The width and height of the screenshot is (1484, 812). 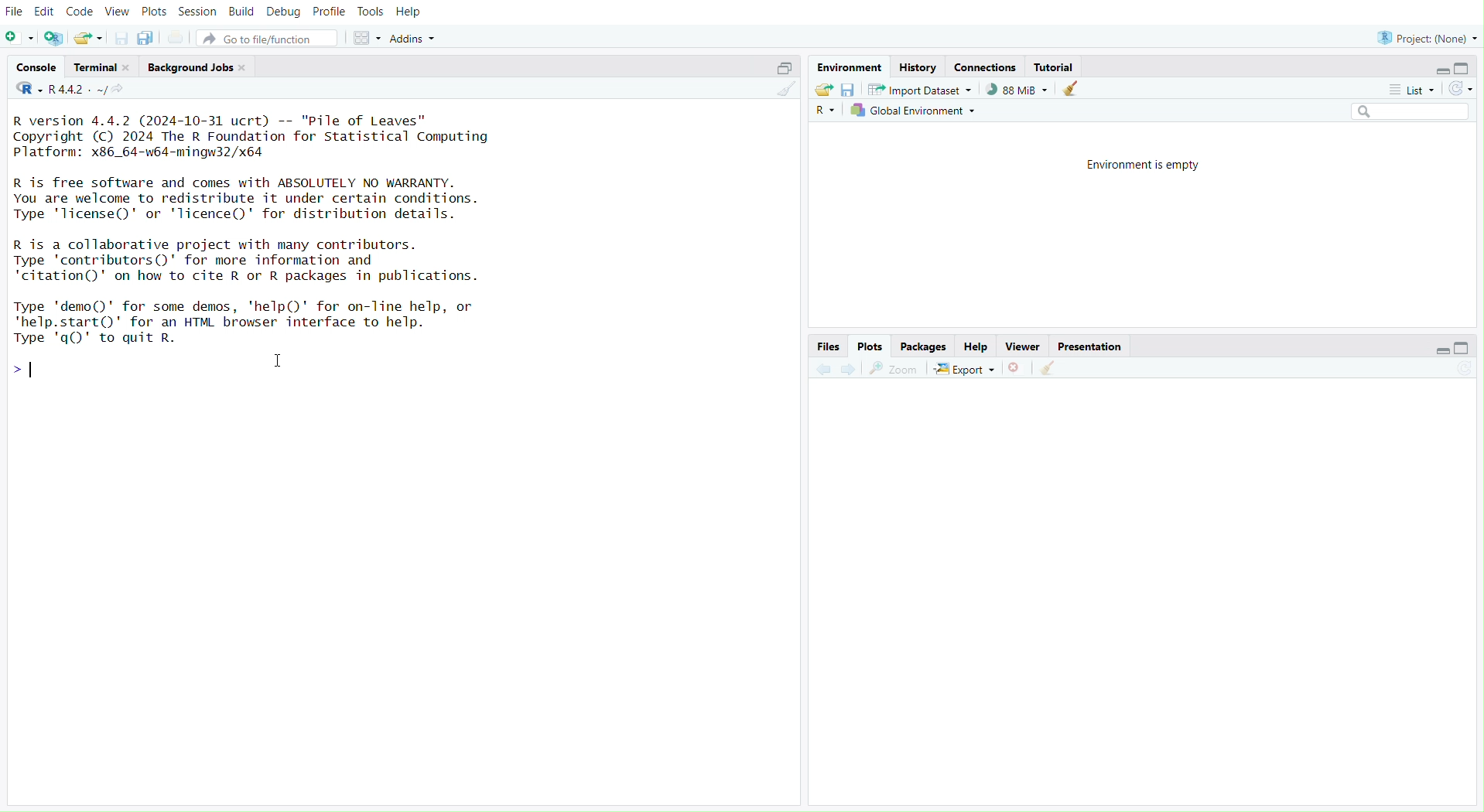 I want to click on Code, so click(x=79, y=12).